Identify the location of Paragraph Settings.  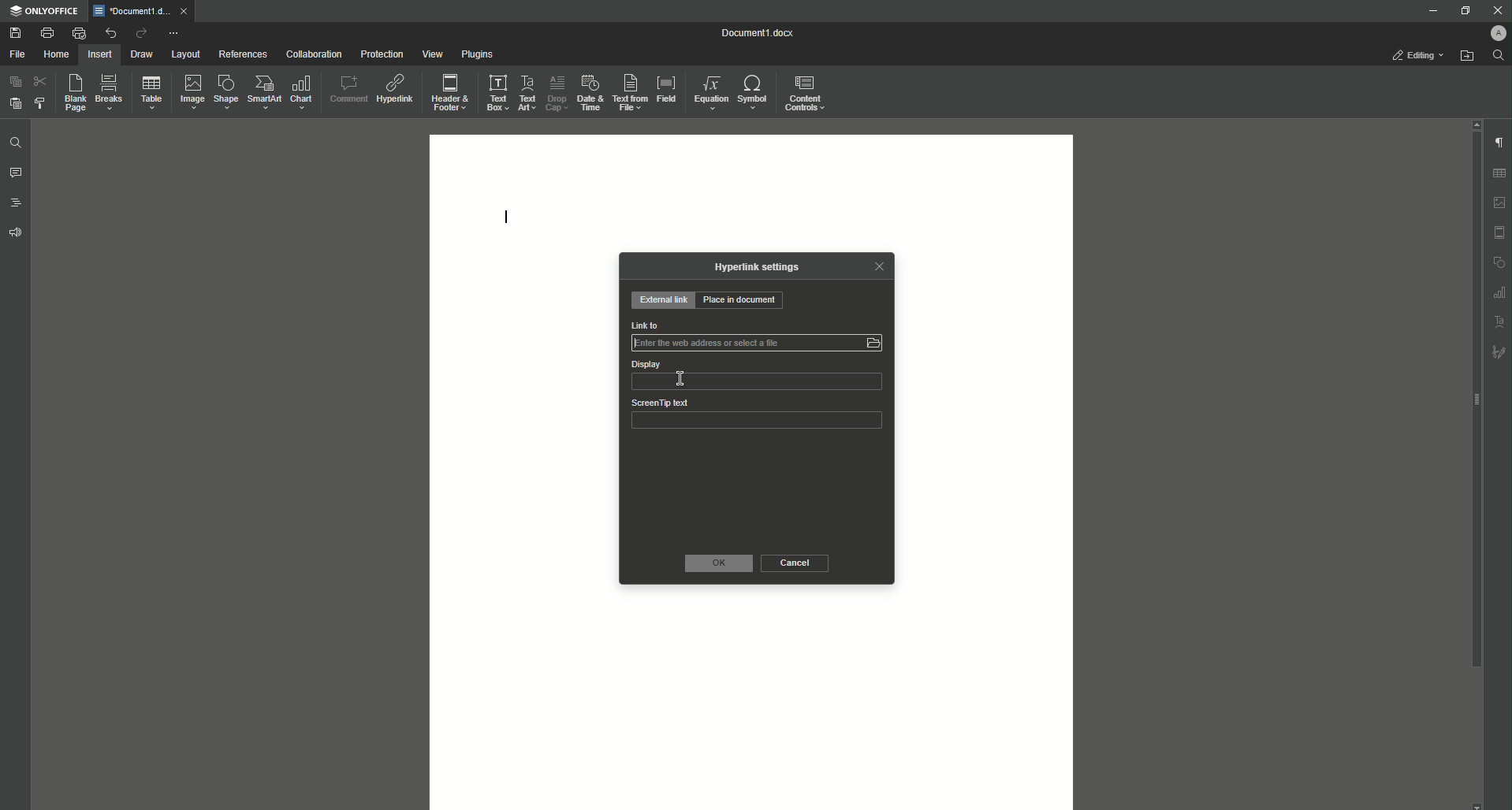
(1499, 143).